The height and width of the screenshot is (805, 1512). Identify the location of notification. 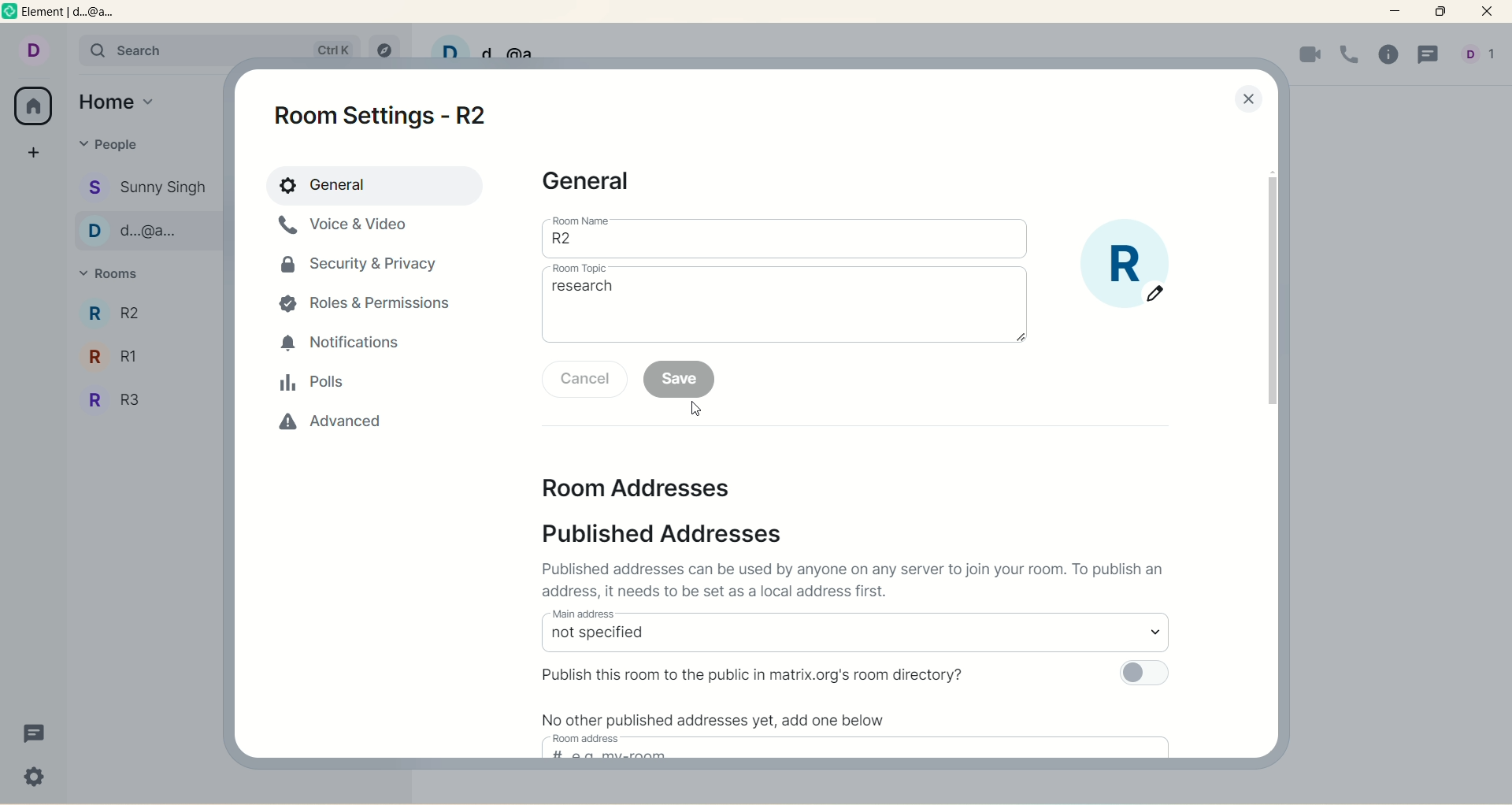
(344, 344).